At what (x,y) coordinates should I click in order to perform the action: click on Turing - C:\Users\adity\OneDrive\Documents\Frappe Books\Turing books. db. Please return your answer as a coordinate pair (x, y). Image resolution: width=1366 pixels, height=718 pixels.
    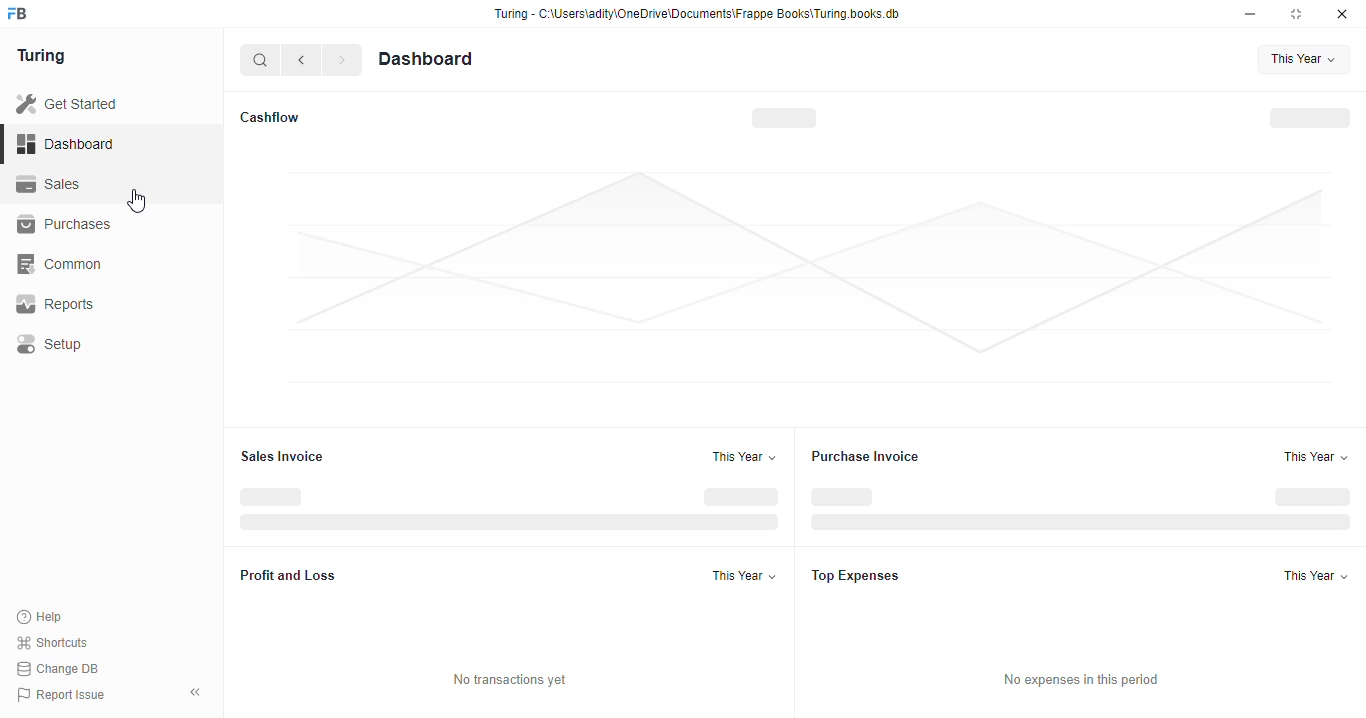
    Looking at the image, I should click on (703, 16).